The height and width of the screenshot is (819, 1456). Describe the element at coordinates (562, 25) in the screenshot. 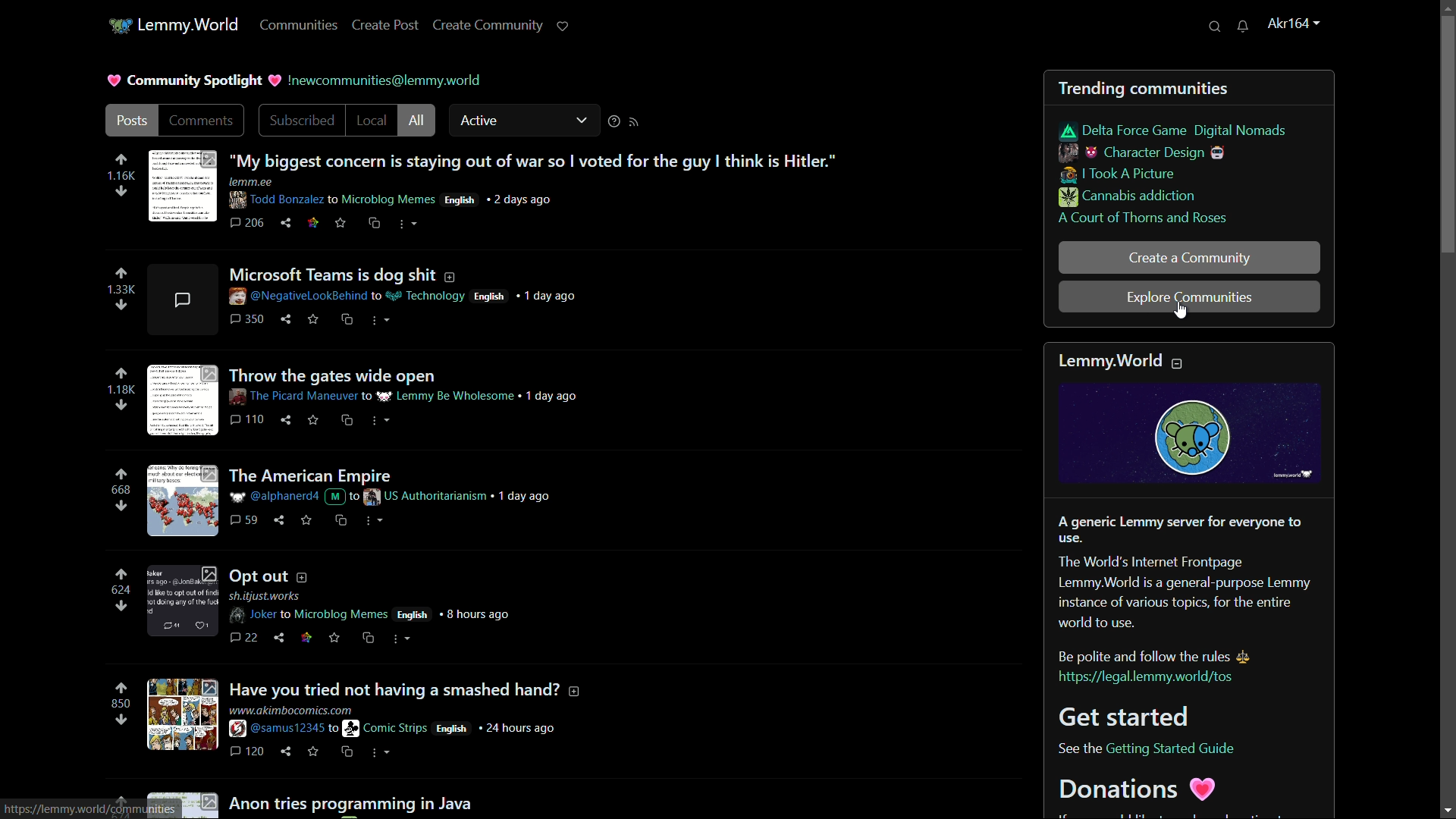

I see `support lemmy` at that location.